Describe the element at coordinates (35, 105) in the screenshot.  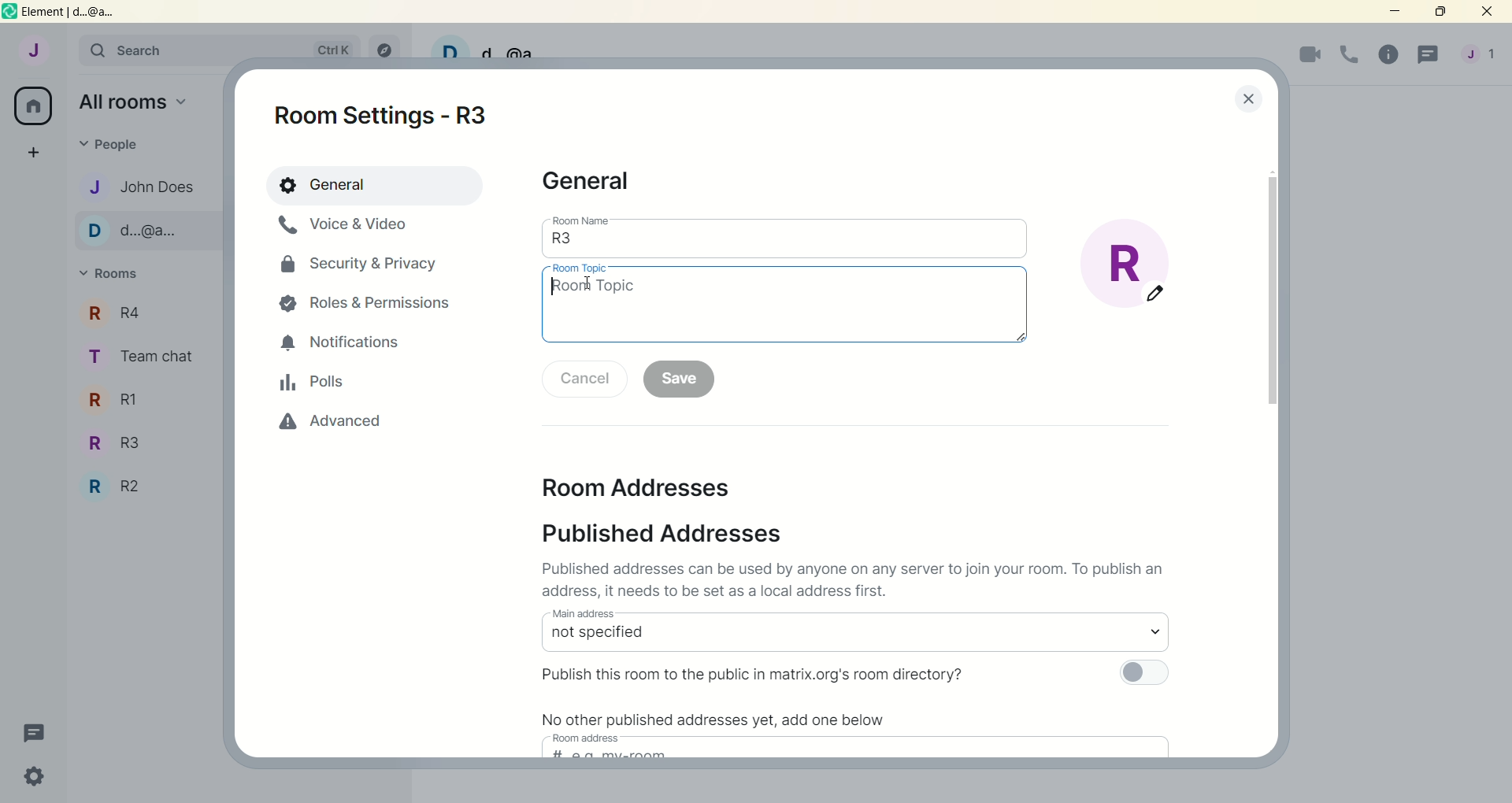
I see `all rooms` at that location.